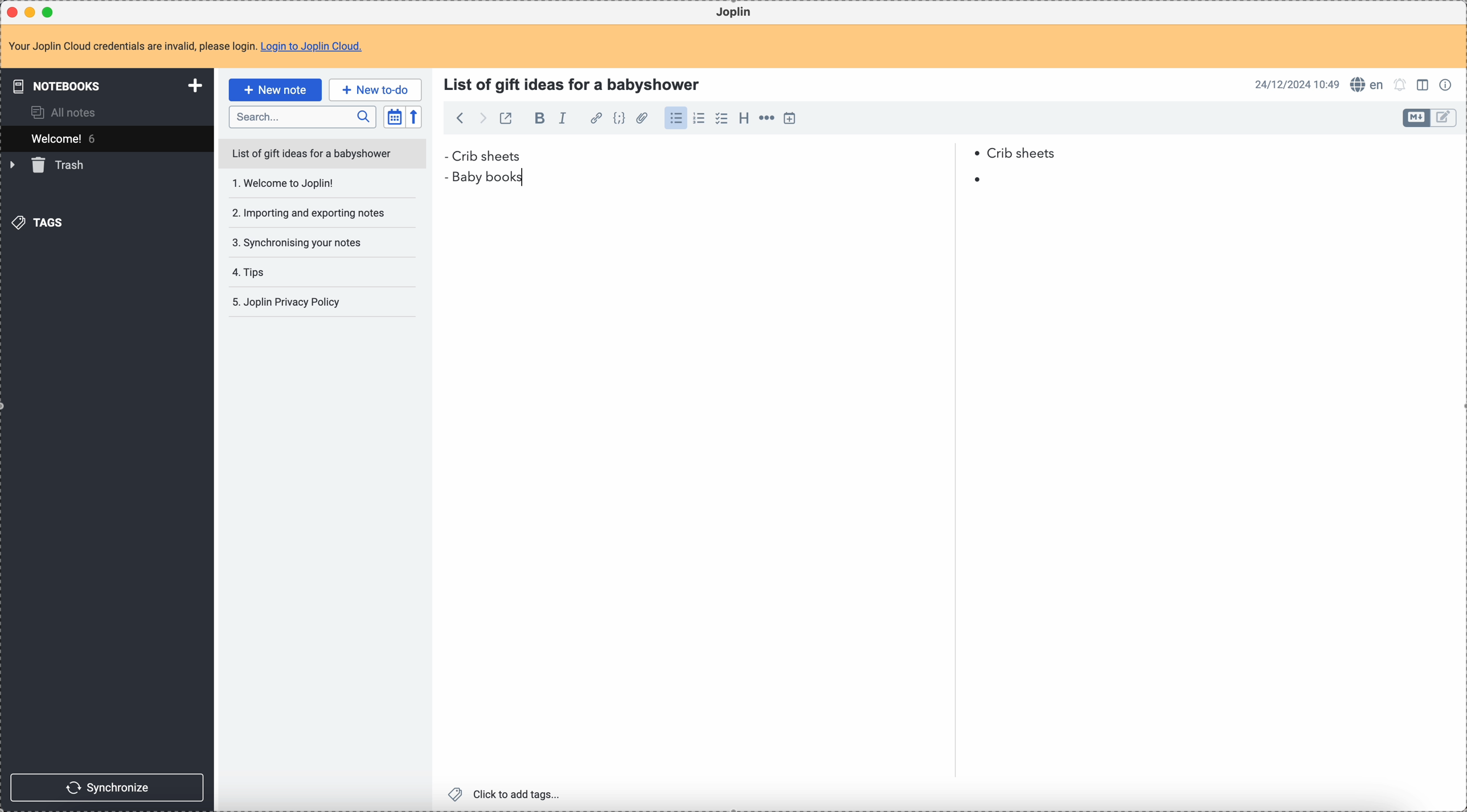  I want to click on notebooks, so click(103, 87).